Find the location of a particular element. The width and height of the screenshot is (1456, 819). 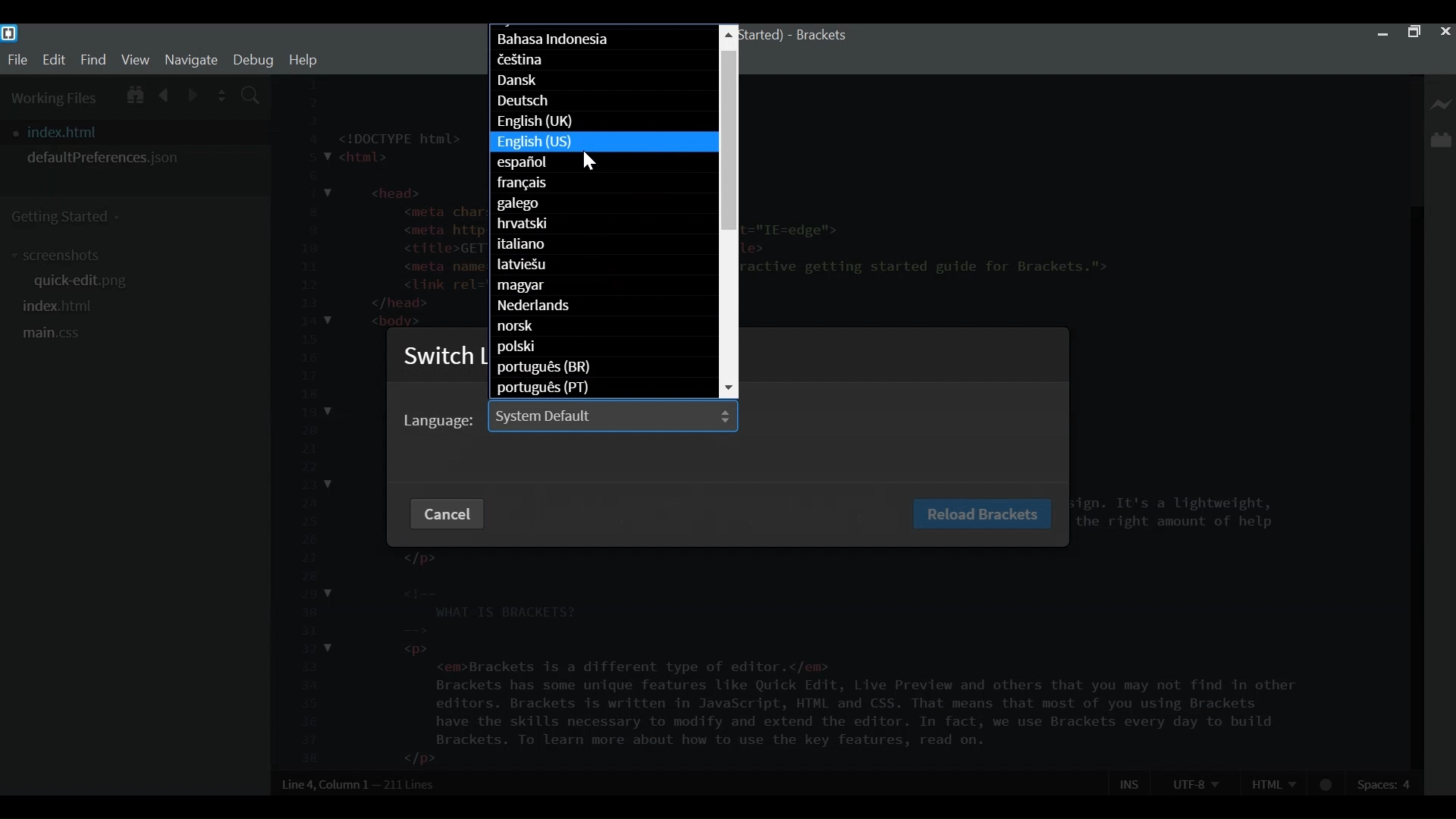

elp is located at coordinates (303, 60).